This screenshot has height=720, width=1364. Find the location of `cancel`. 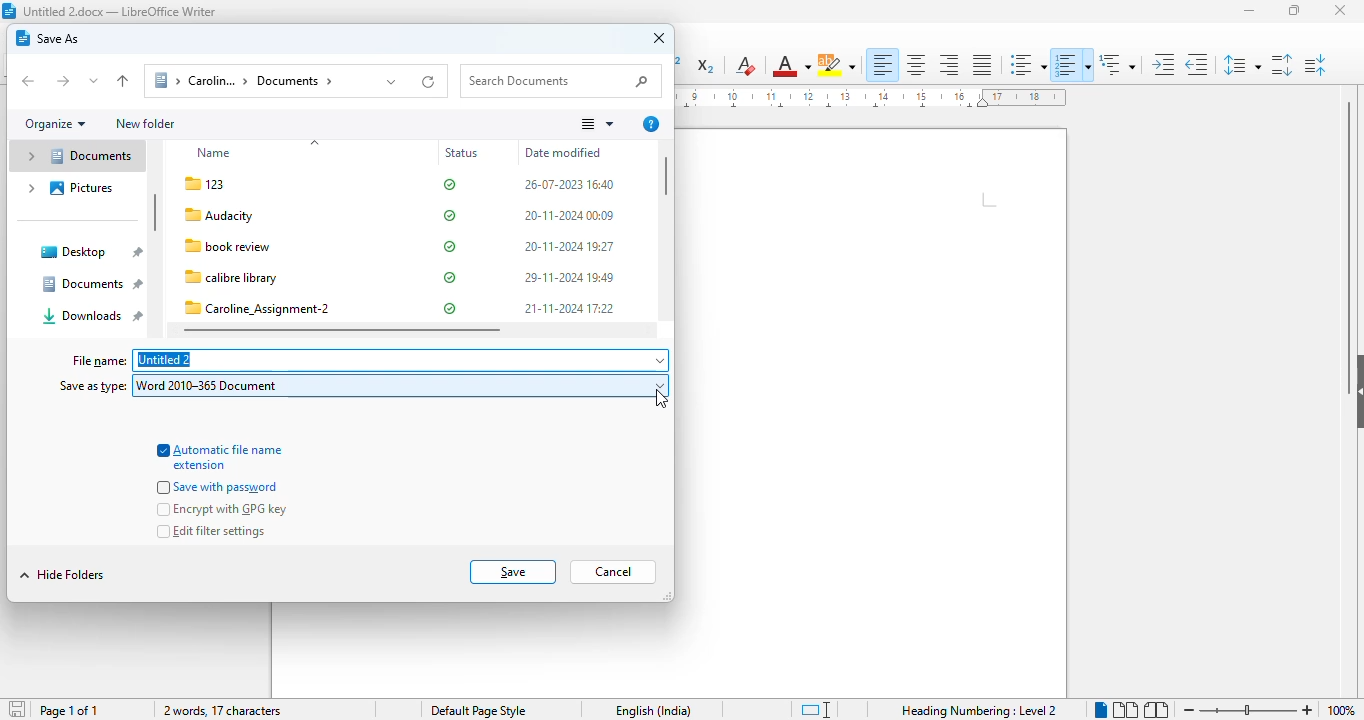

cancel is located at coordinates (613, 572).